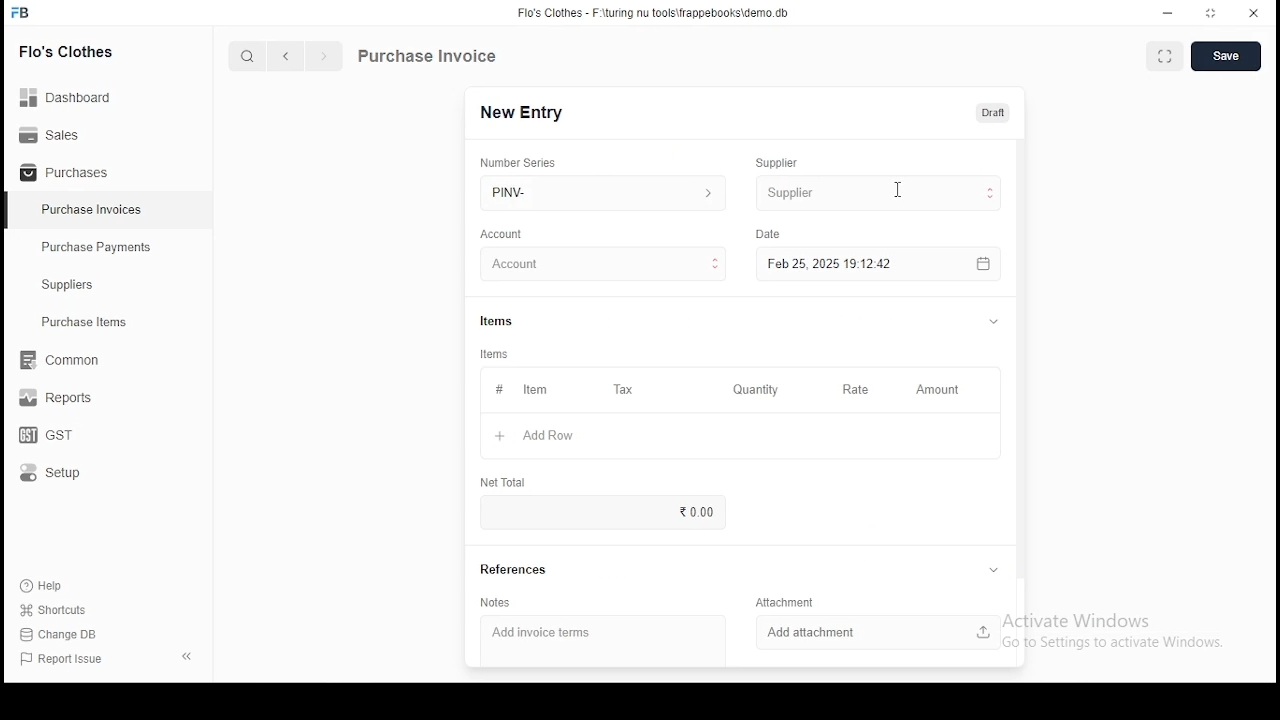 This screenshot has height=720, width=1280. What do you see at coordinates (520, 112) in the screenshot?
I see `new entry` at bounding box center [520, 112].